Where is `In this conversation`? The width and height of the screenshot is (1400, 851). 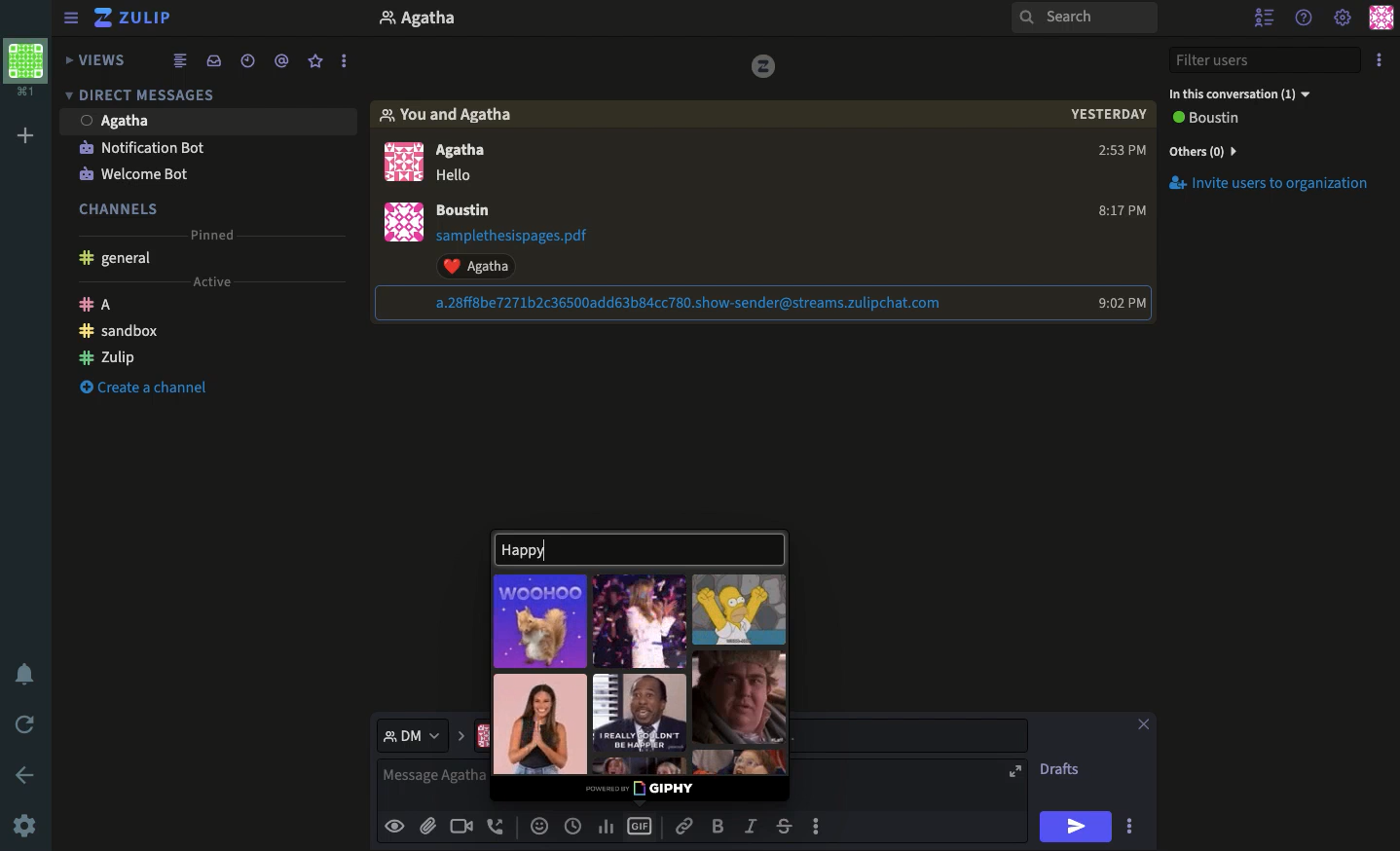 In this conversation is located at coordinates (1244, 95).